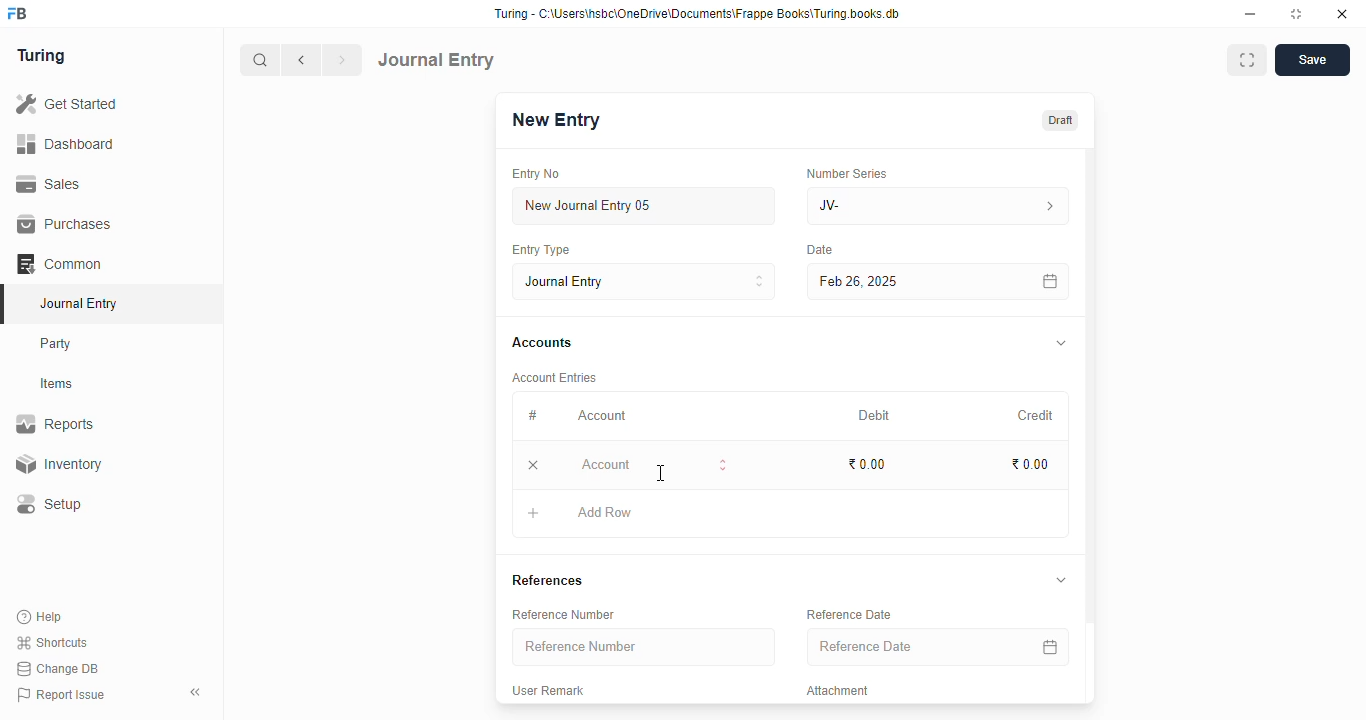  What do you see at coordinates (602, 415) in the screenshot?
I see `account` at bounding box center [602, 415].